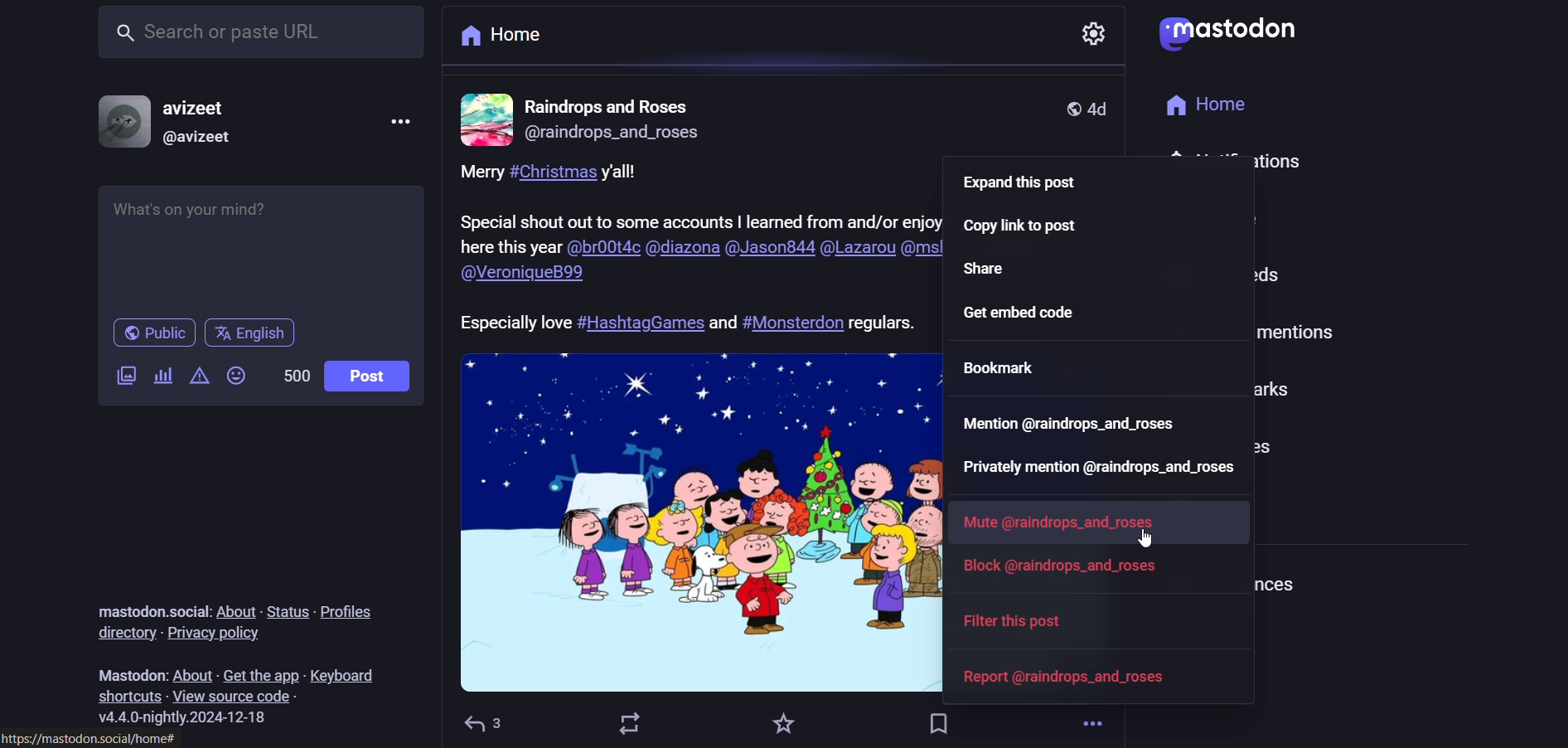 This screenshot has width=1568, height=748. I want to click on add image, so click(122, 376).